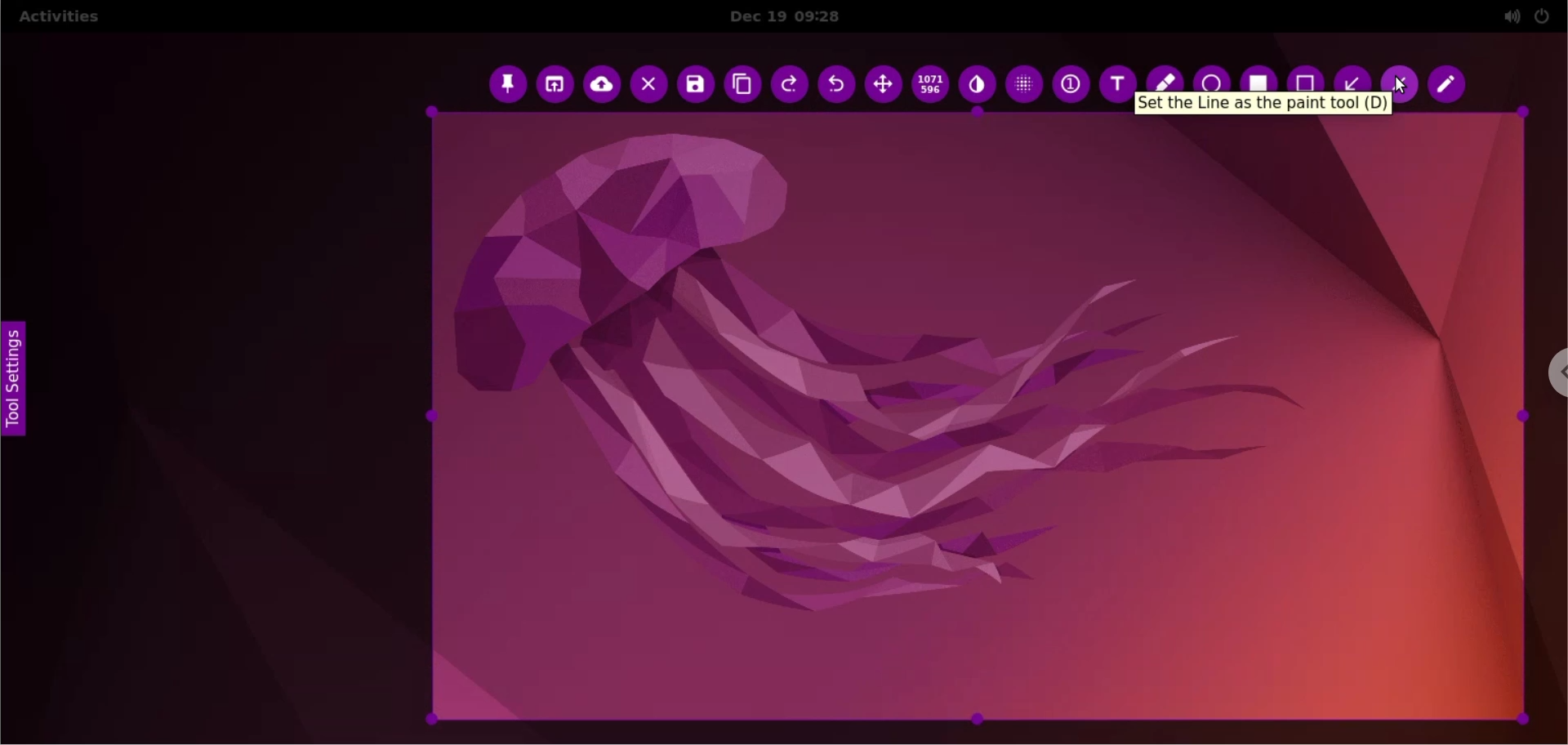  I want to click on x and y coordinates values, so click(932, 85).